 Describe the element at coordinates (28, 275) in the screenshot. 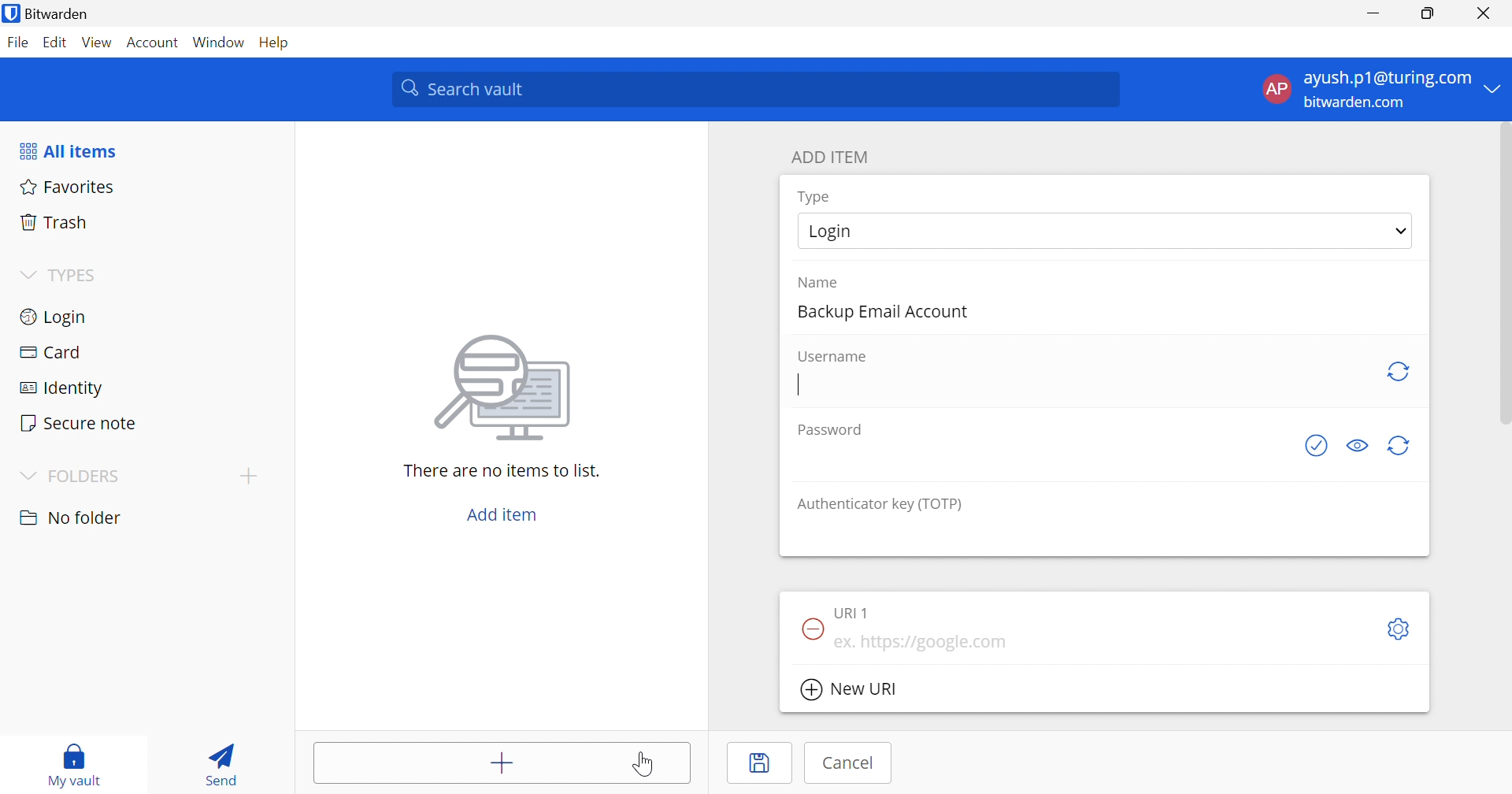

I see `Drop Down` at that location.